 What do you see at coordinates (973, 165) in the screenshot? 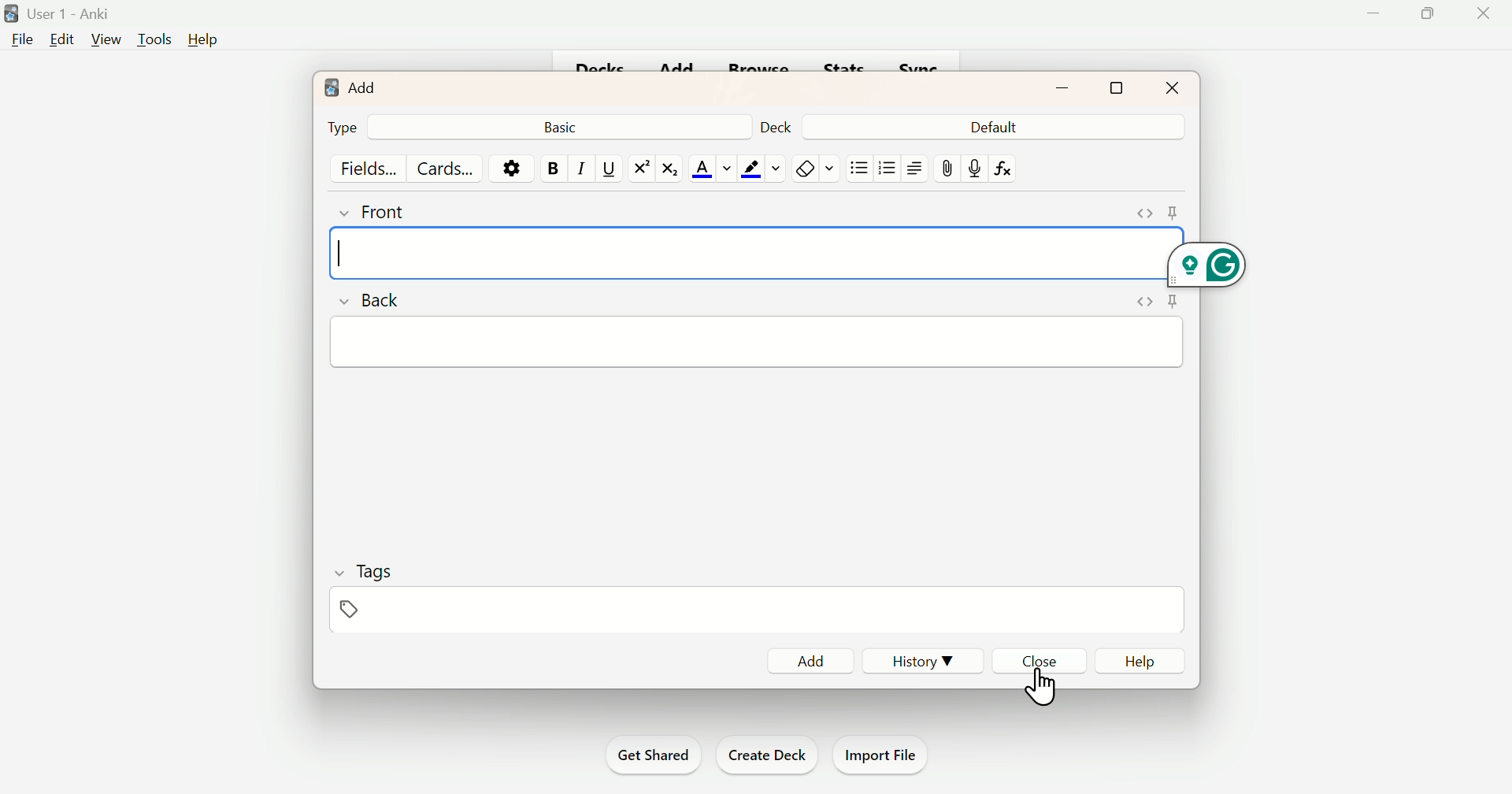
I see `Mic` at bounding box center [973, 165].